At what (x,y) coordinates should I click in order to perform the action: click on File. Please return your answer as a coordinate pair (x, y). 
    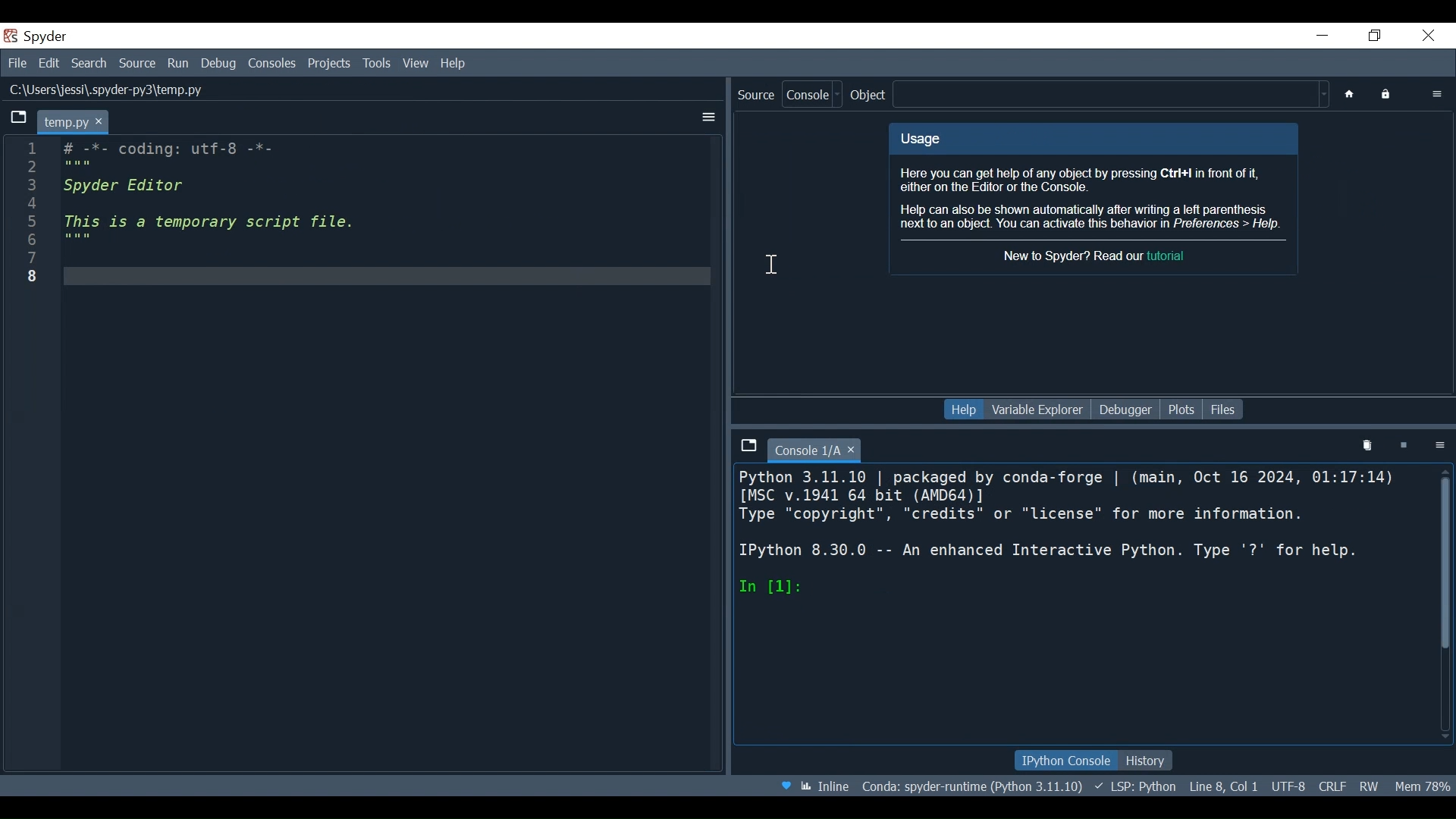
    Looking at the image, I should click on (17, 64).